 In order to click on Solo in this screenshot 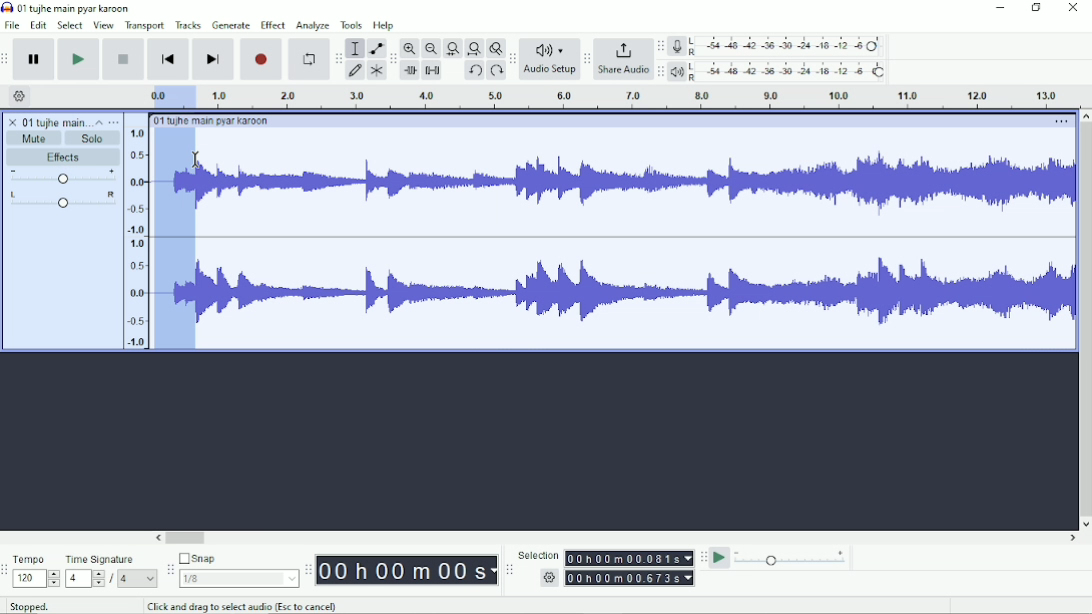, I will do `click(93, 138)`.